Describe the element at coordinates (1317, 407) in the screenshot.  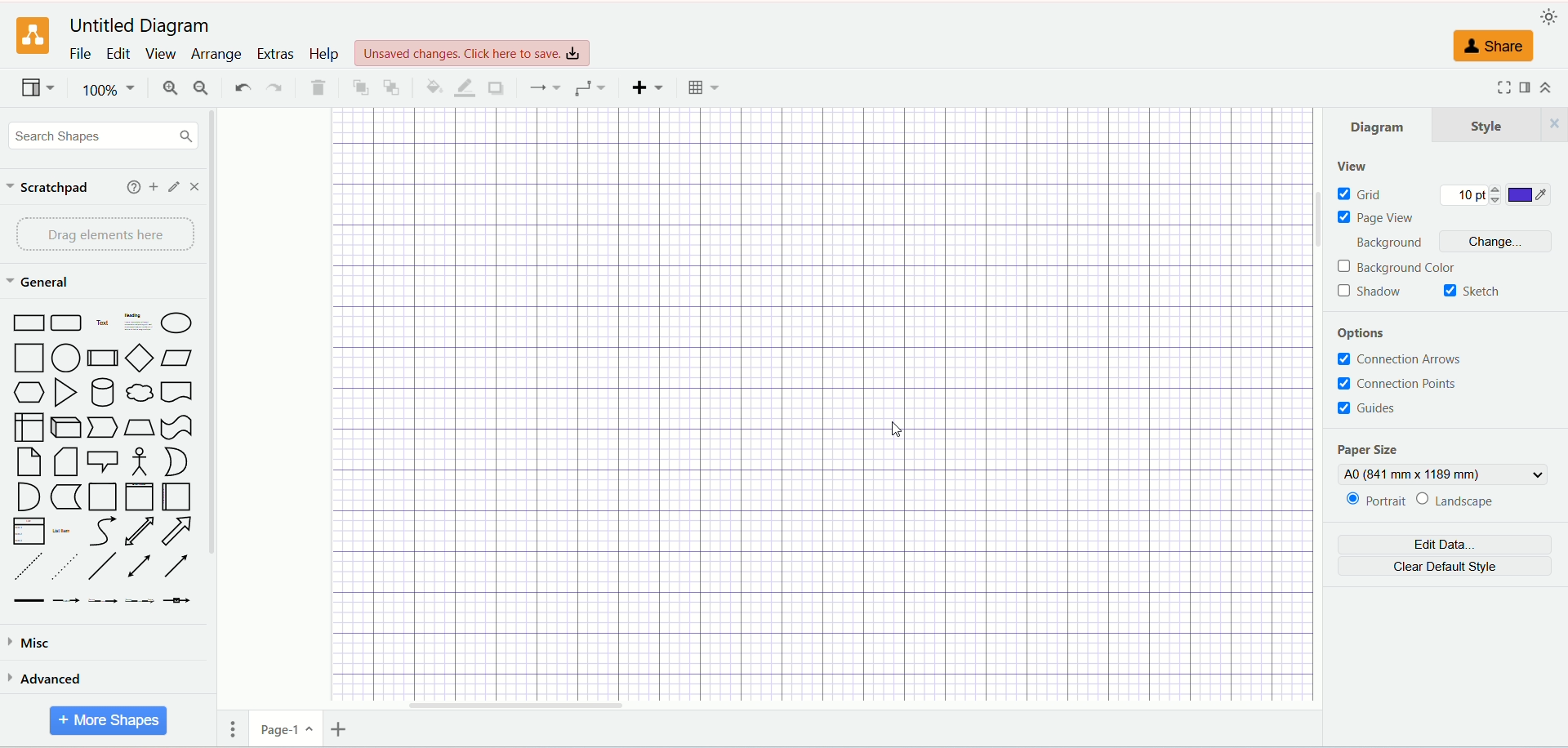
I see `vertical scroll bar` at that location.